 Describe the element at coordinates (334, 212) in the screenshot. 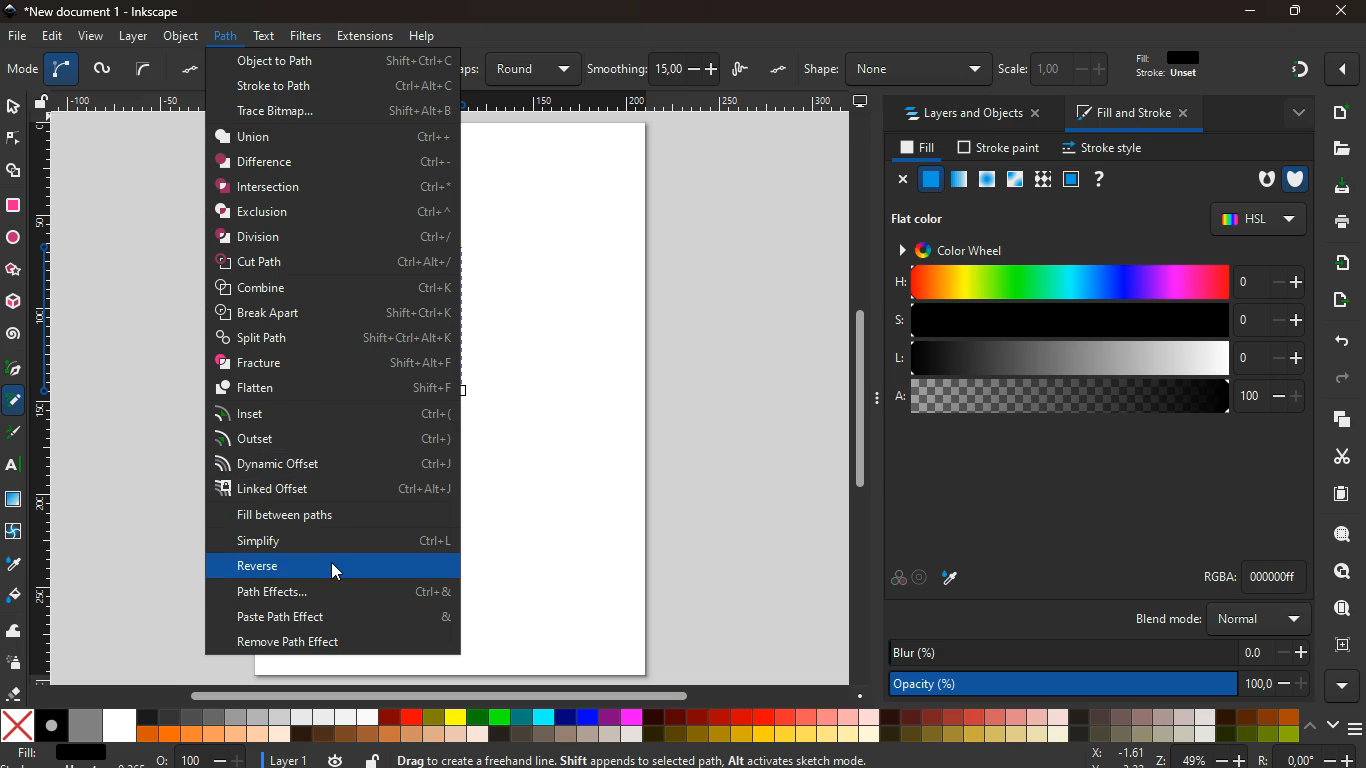

I see `exclusion` at that location.